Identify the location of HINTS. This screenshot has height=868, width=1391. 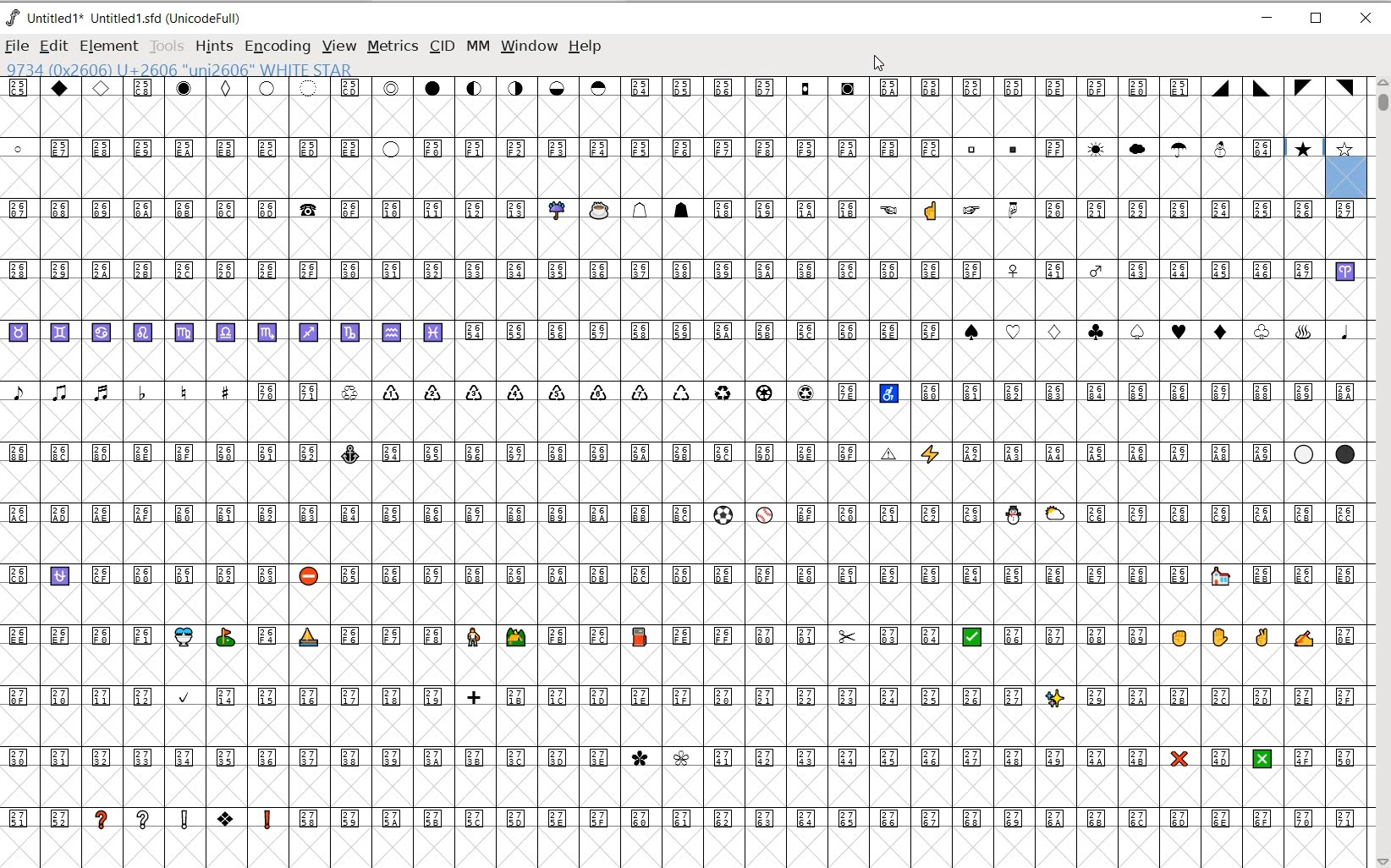
(214, 47).